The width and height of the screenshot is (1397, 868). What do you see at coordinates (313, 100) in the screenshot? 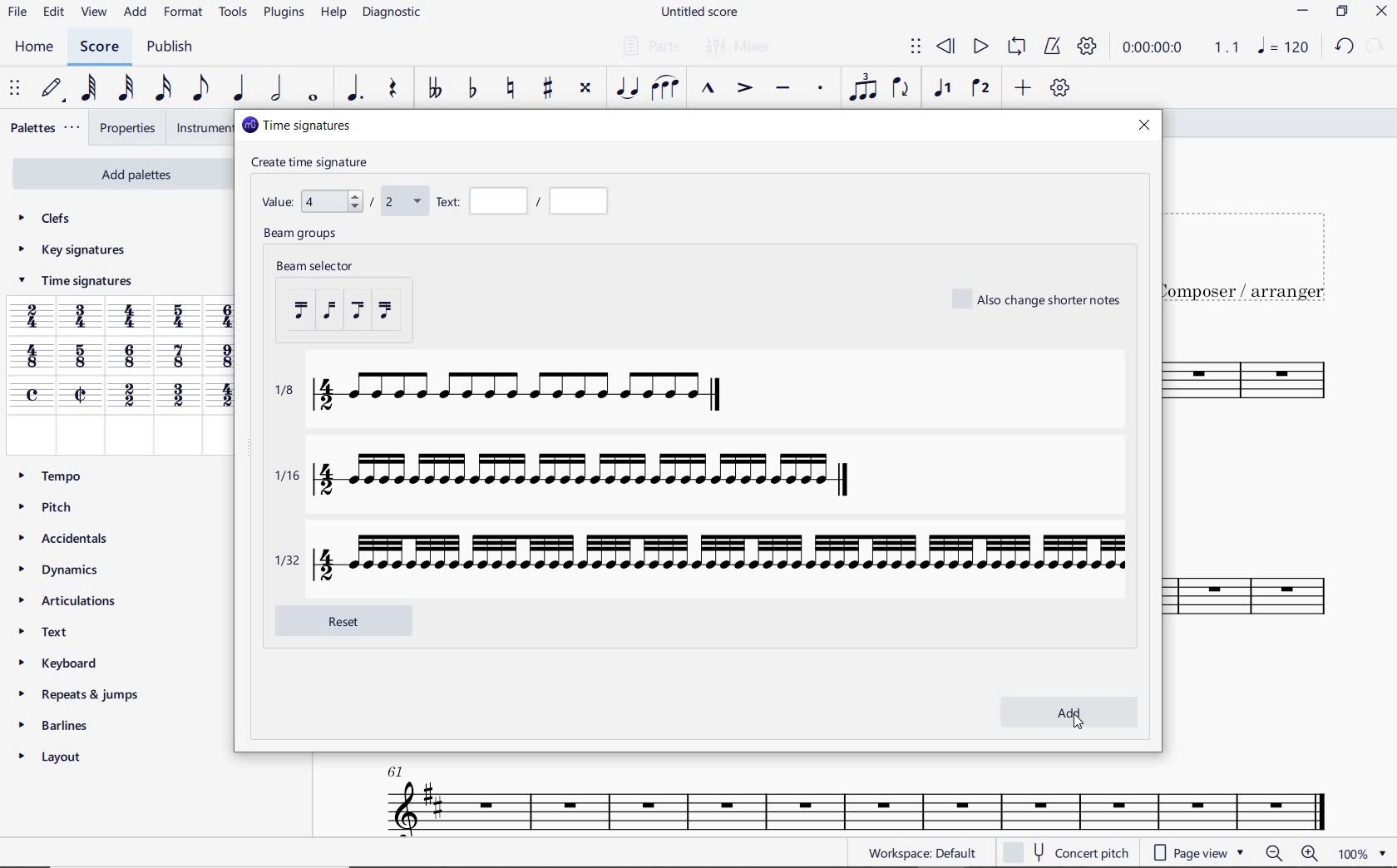
I see `WHOLE NOTE` at bounding box center [313, 100].